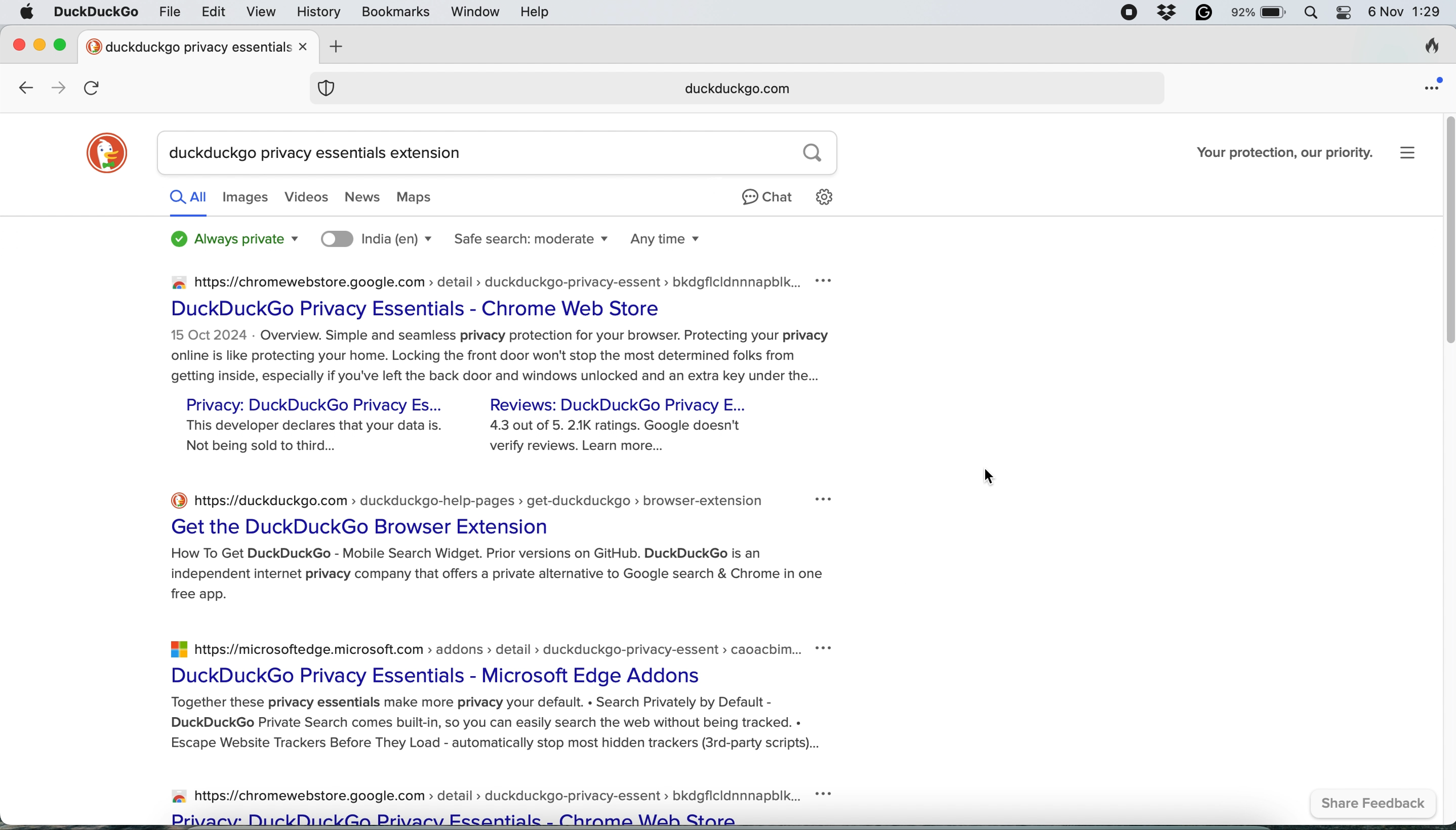  What do you see at coordinates (828, 501) in the screenshot?
I see `more` at bounding box center [828, 501].